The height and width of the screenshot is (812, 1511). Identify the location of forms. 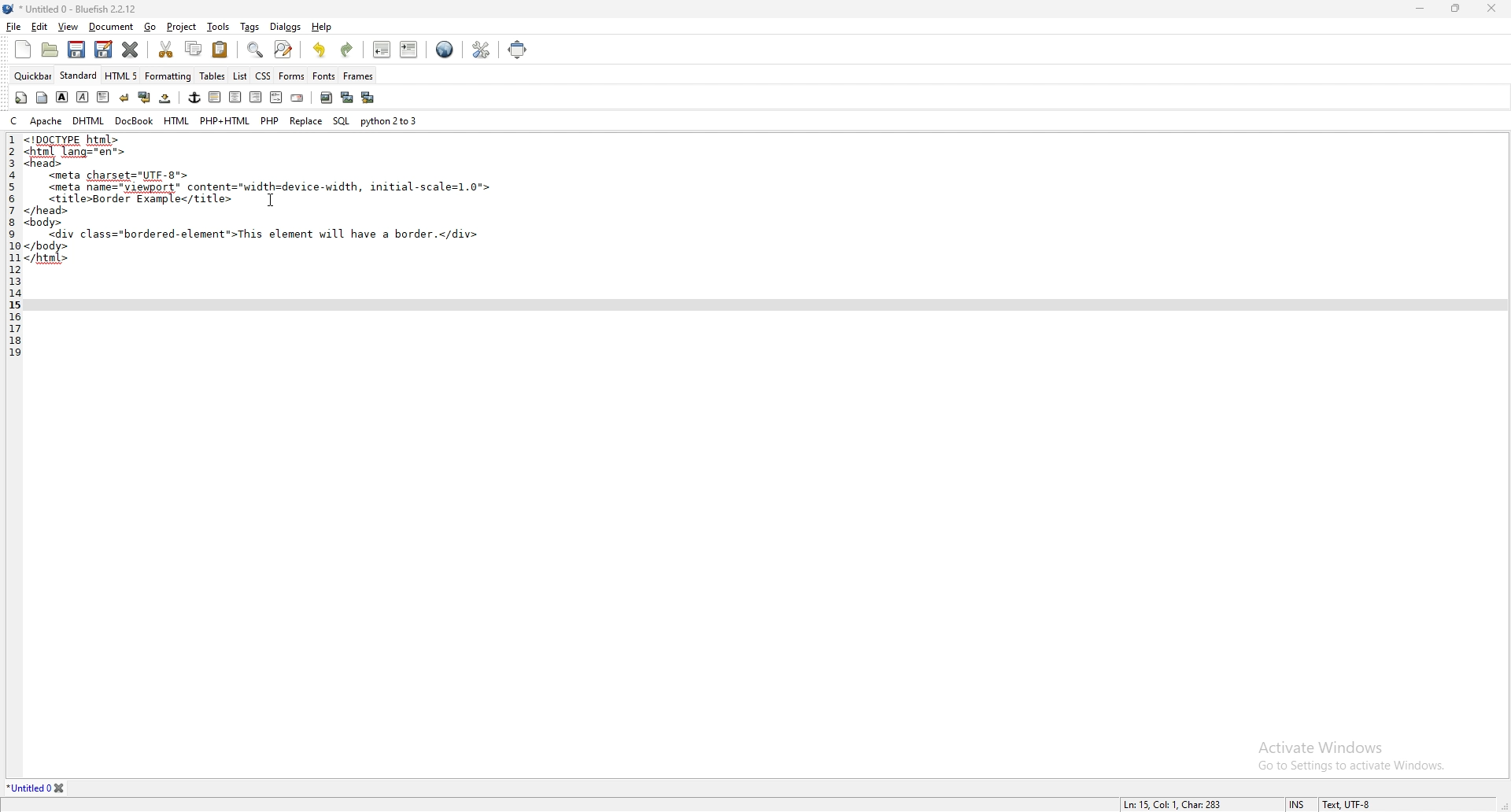
(292, 76).